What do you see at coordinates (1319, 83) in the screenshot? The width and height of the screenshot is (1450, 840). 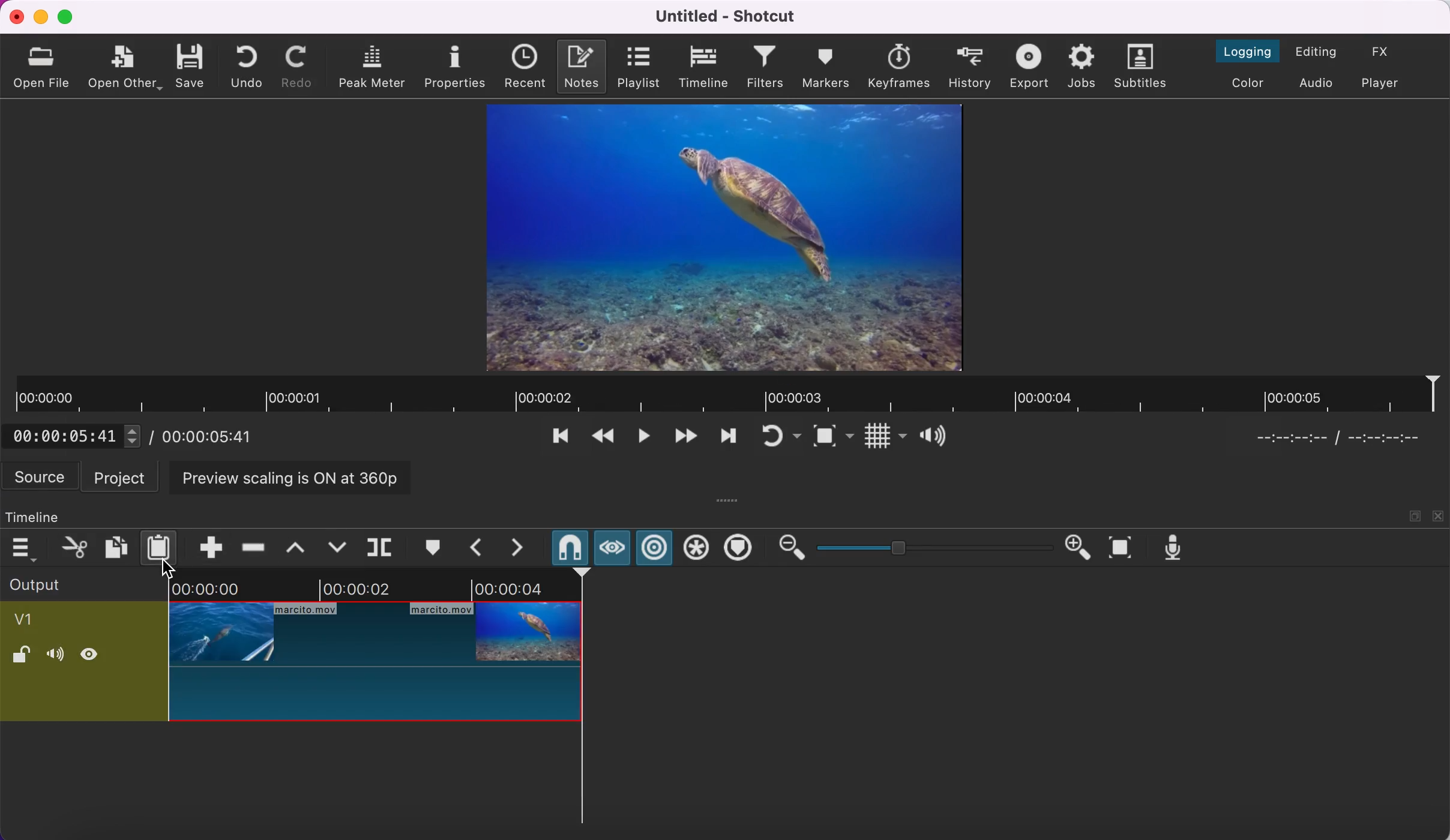 I see `switch to audio layout` at bounding box center [1319, 83].